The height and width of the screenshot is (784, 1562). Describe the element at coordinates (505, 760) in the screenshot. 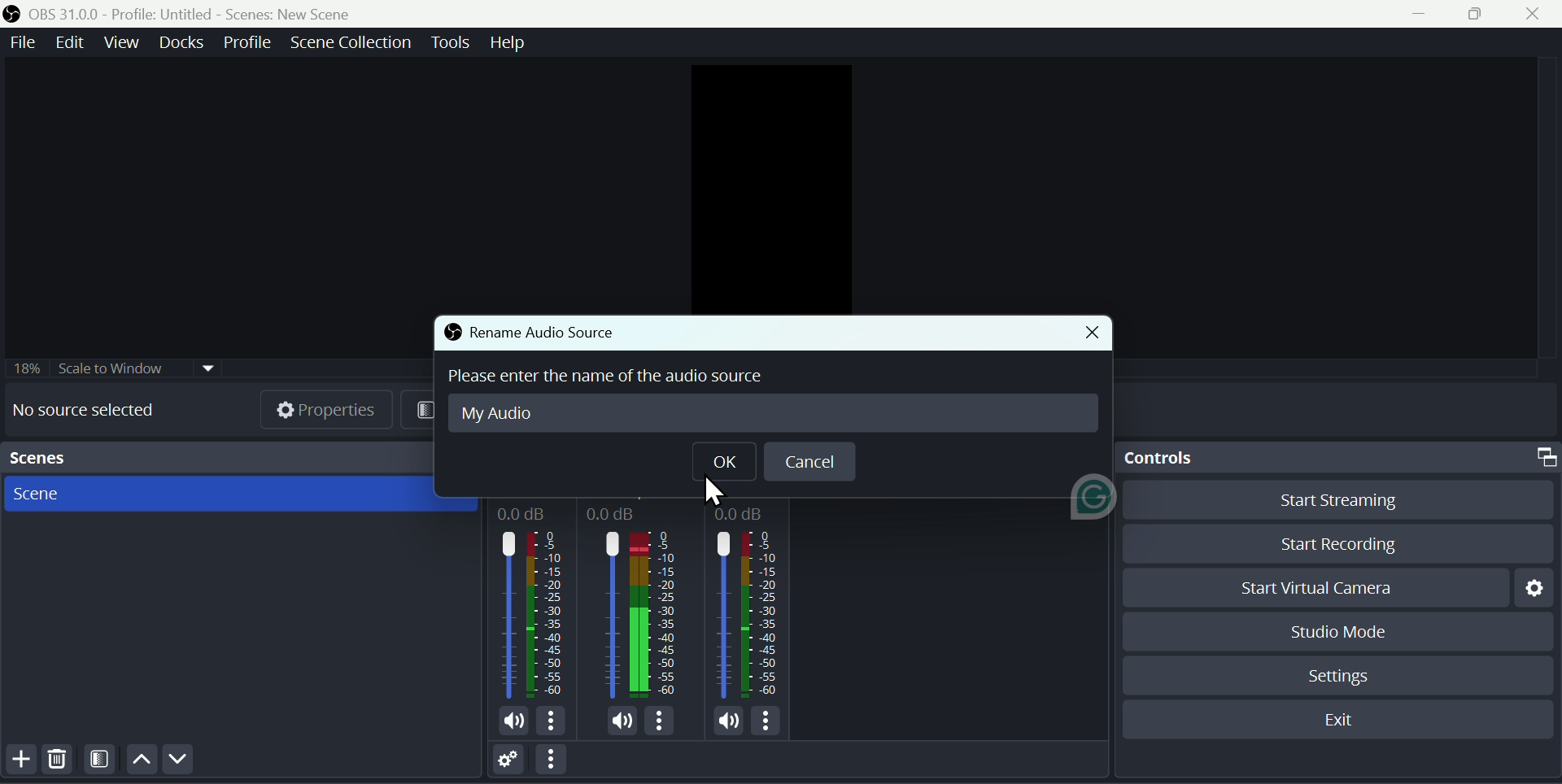

I see `Settings ` at that location.